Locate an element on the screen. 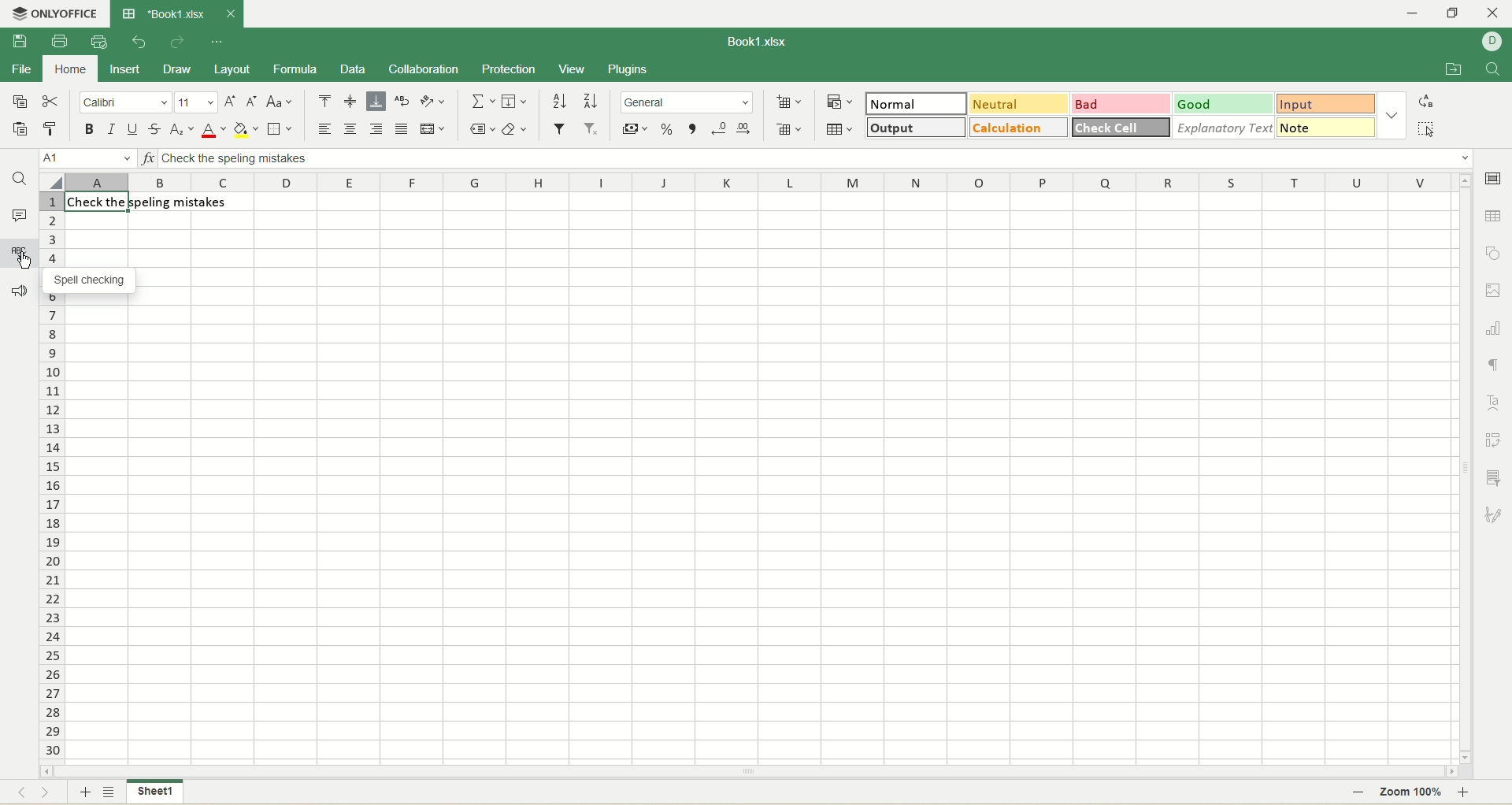 The width and height of the screenshot is (1512, 805). insert function is located at coordinates (147, 159).